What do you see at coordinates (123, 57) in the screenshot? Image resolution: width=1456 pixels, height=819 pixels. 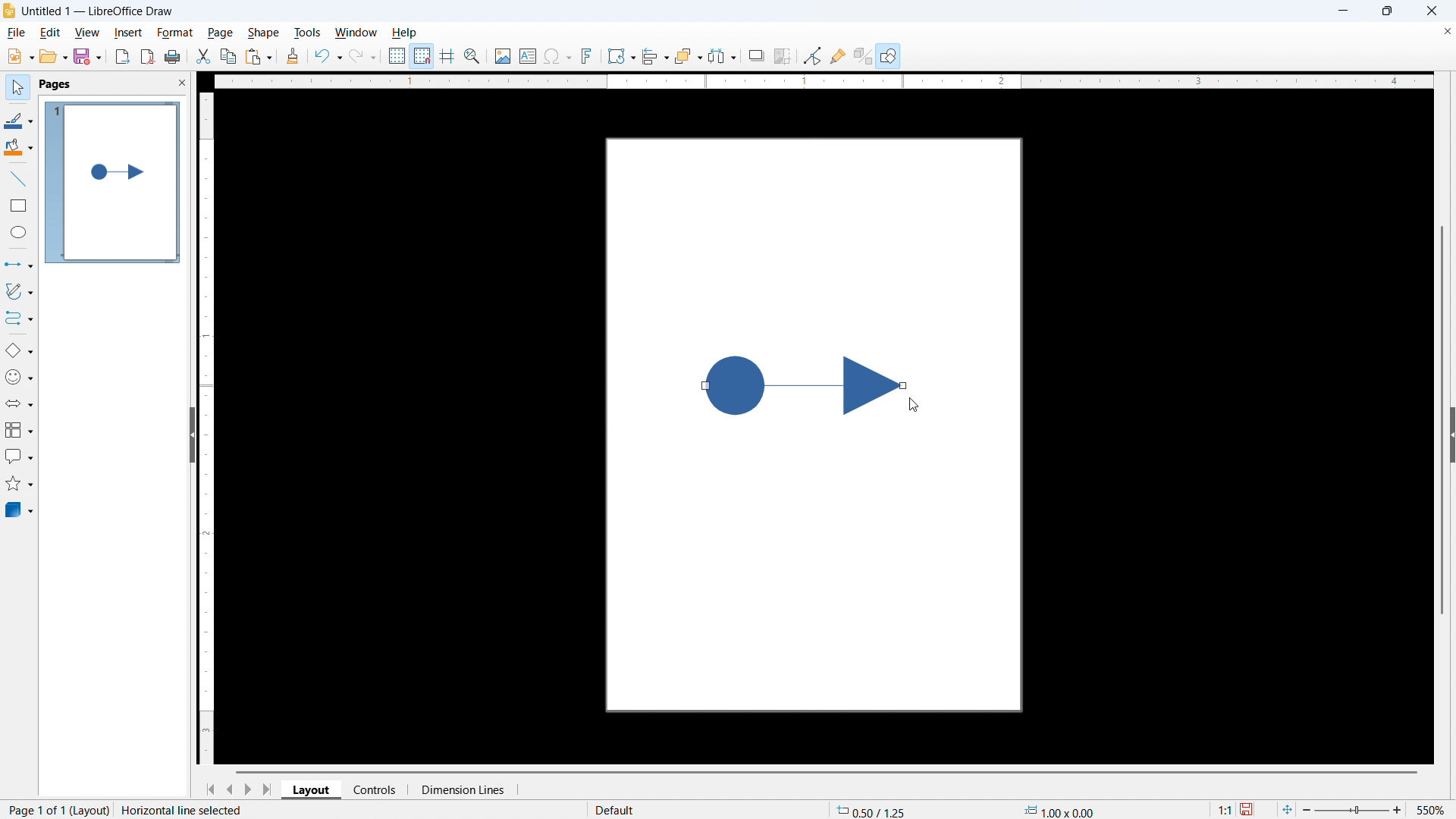 I see `Export ` at bounding box center [123, 57].